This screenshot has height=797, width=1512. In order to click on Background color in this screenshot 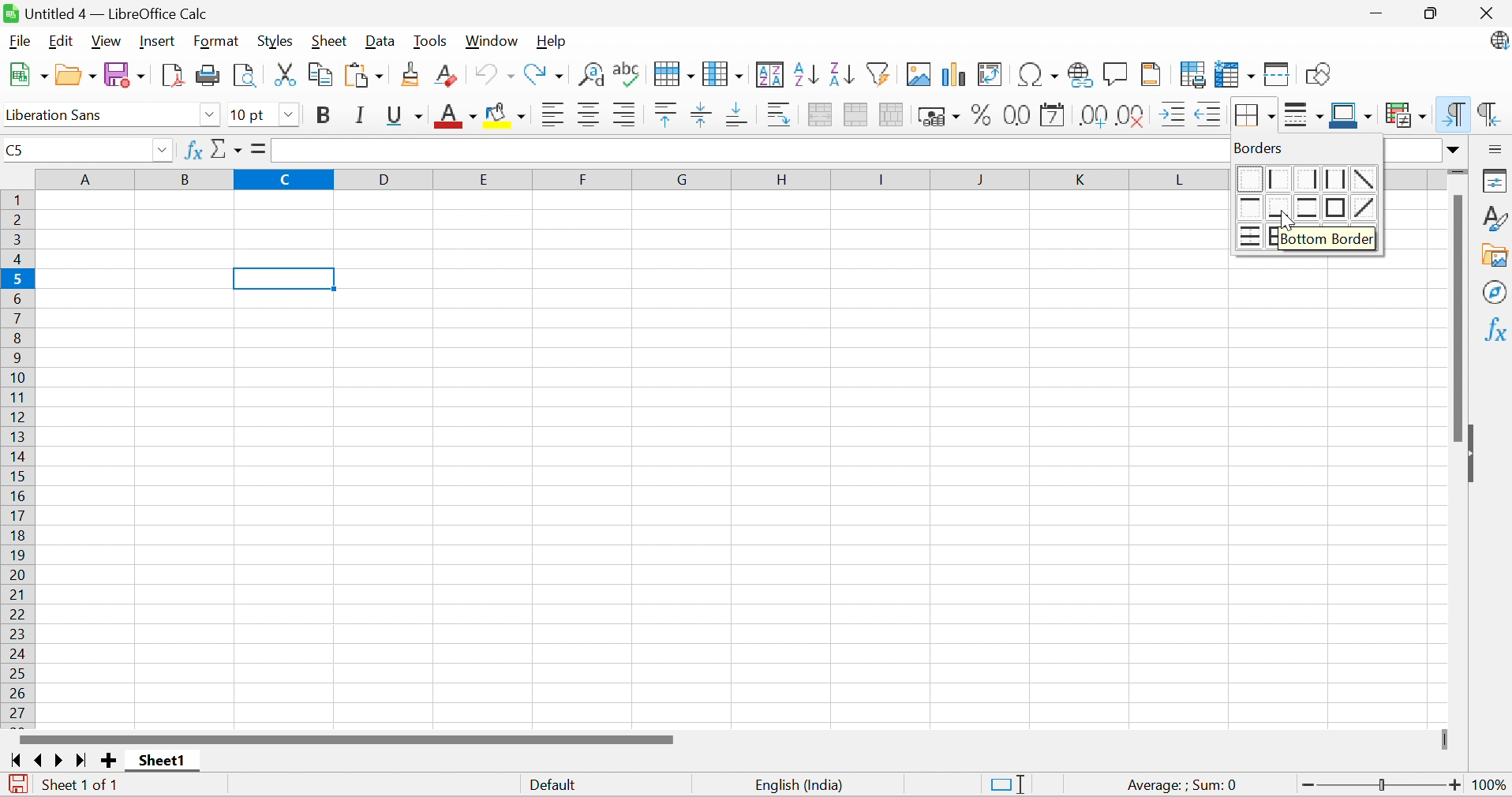, I will do `click(507, 116)`.